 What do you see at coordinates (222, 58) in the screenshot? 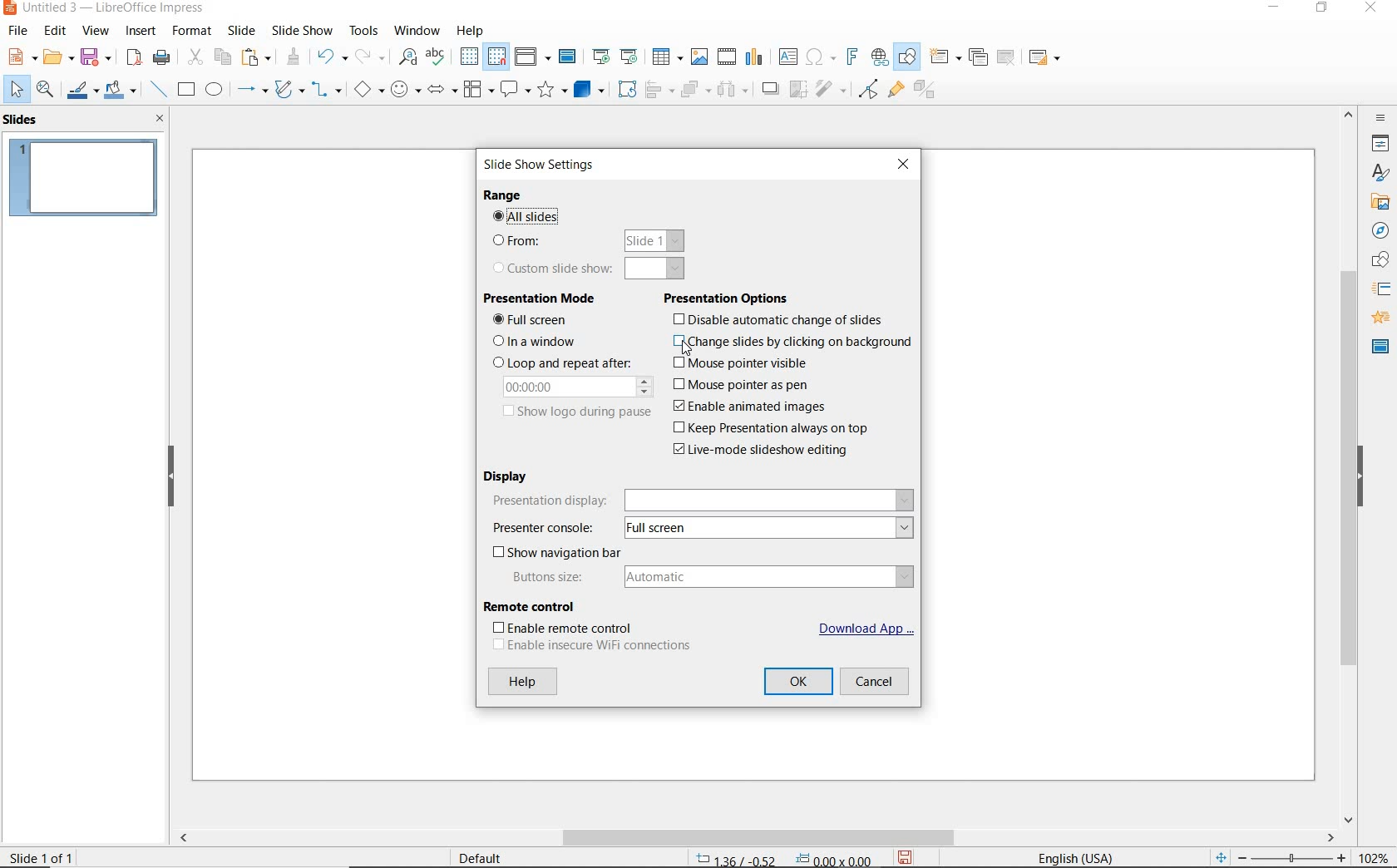
I see `COPY` at bounding box center [222, 58].